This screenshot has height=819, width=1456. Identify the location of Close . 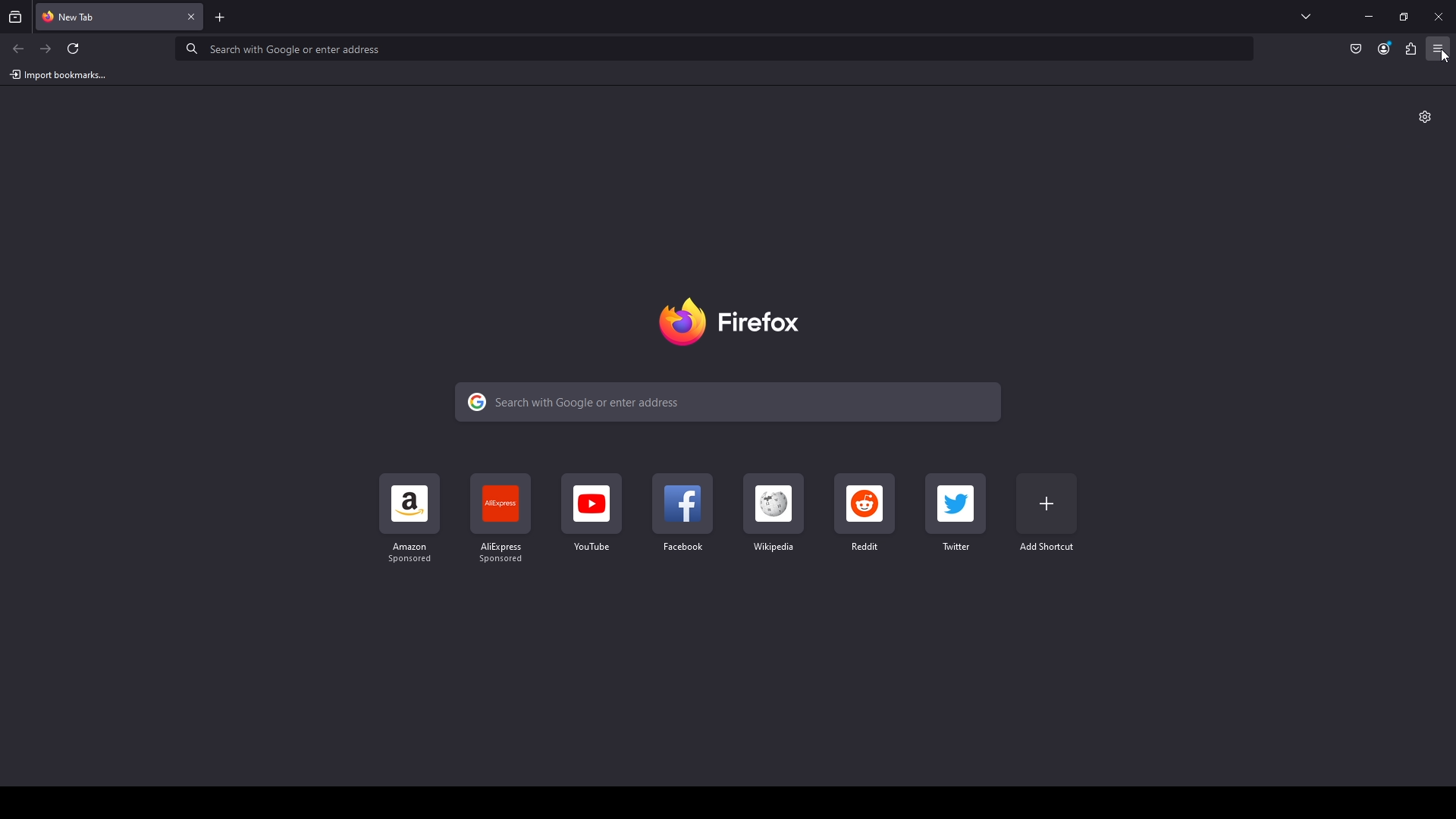
(1439, 17).